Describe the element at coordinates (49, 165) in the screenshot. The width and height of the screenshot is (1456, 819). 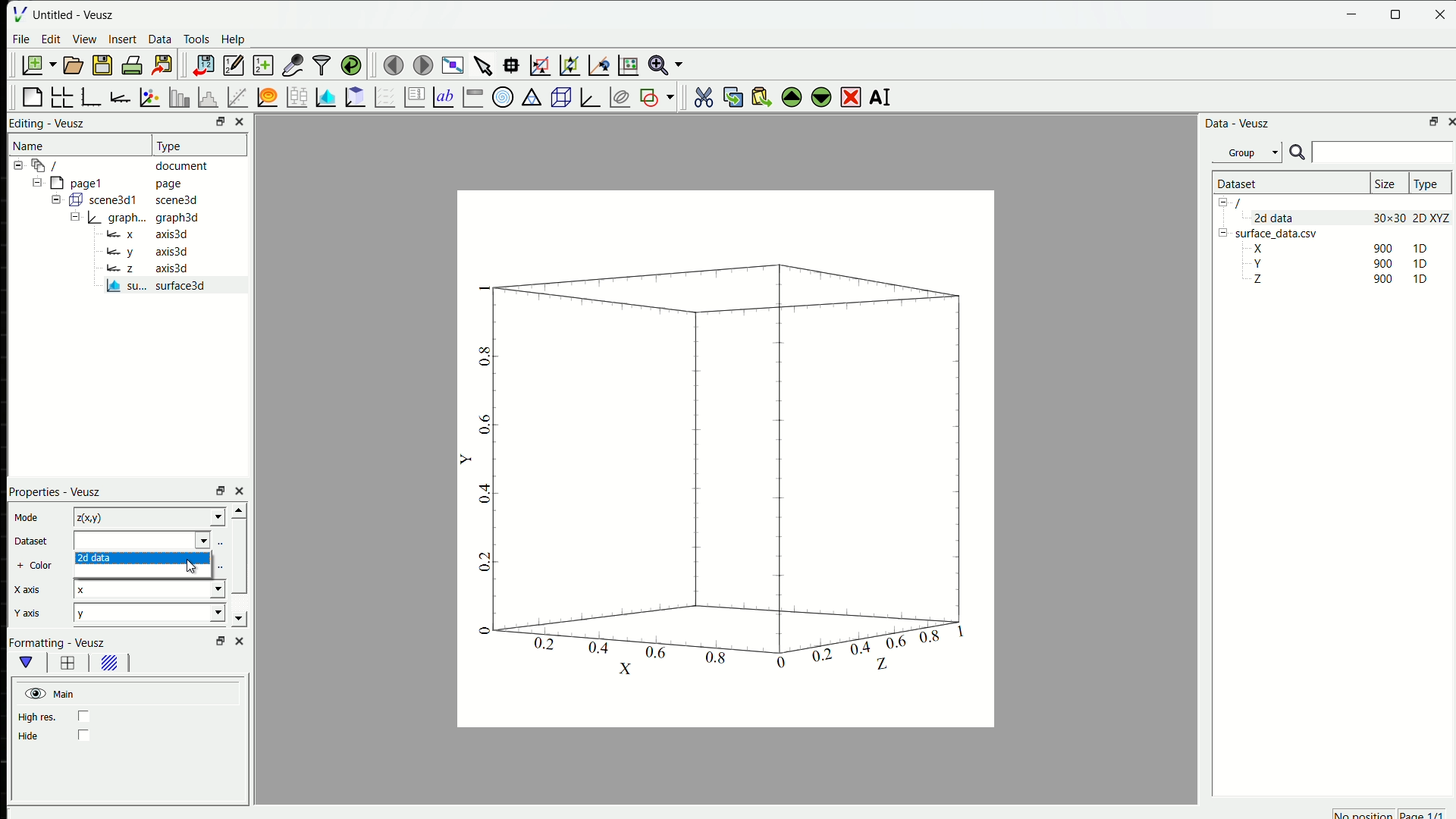
I see `/` at that location.